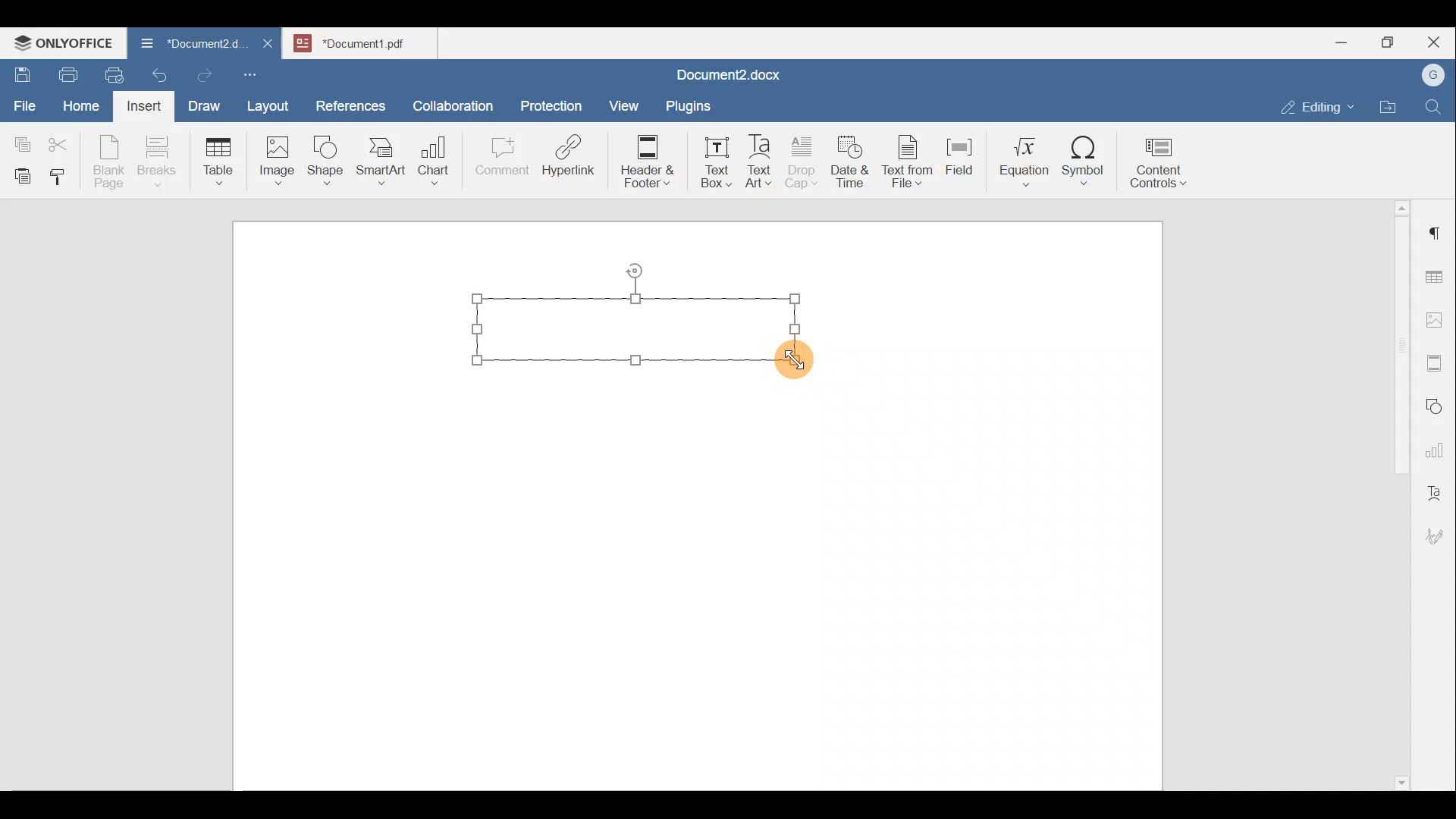 This screenshot has height=819, width=1456. What do you see at coordinates (450, 98) in the screenshot?
I see `Collaboration` at bounding box center [450, 98].